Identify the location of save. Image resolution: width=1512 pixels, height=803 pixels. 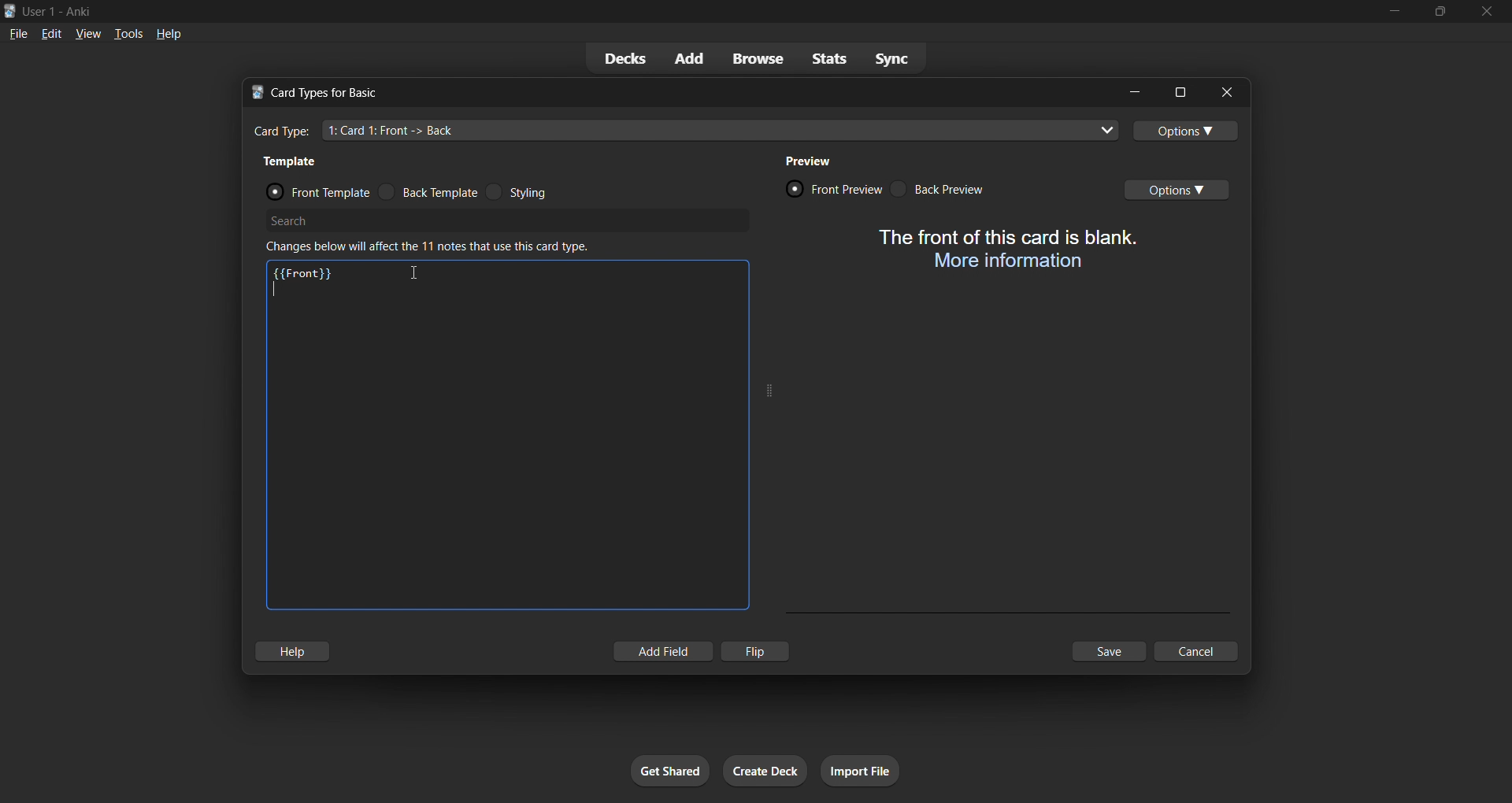
(1110, 653).